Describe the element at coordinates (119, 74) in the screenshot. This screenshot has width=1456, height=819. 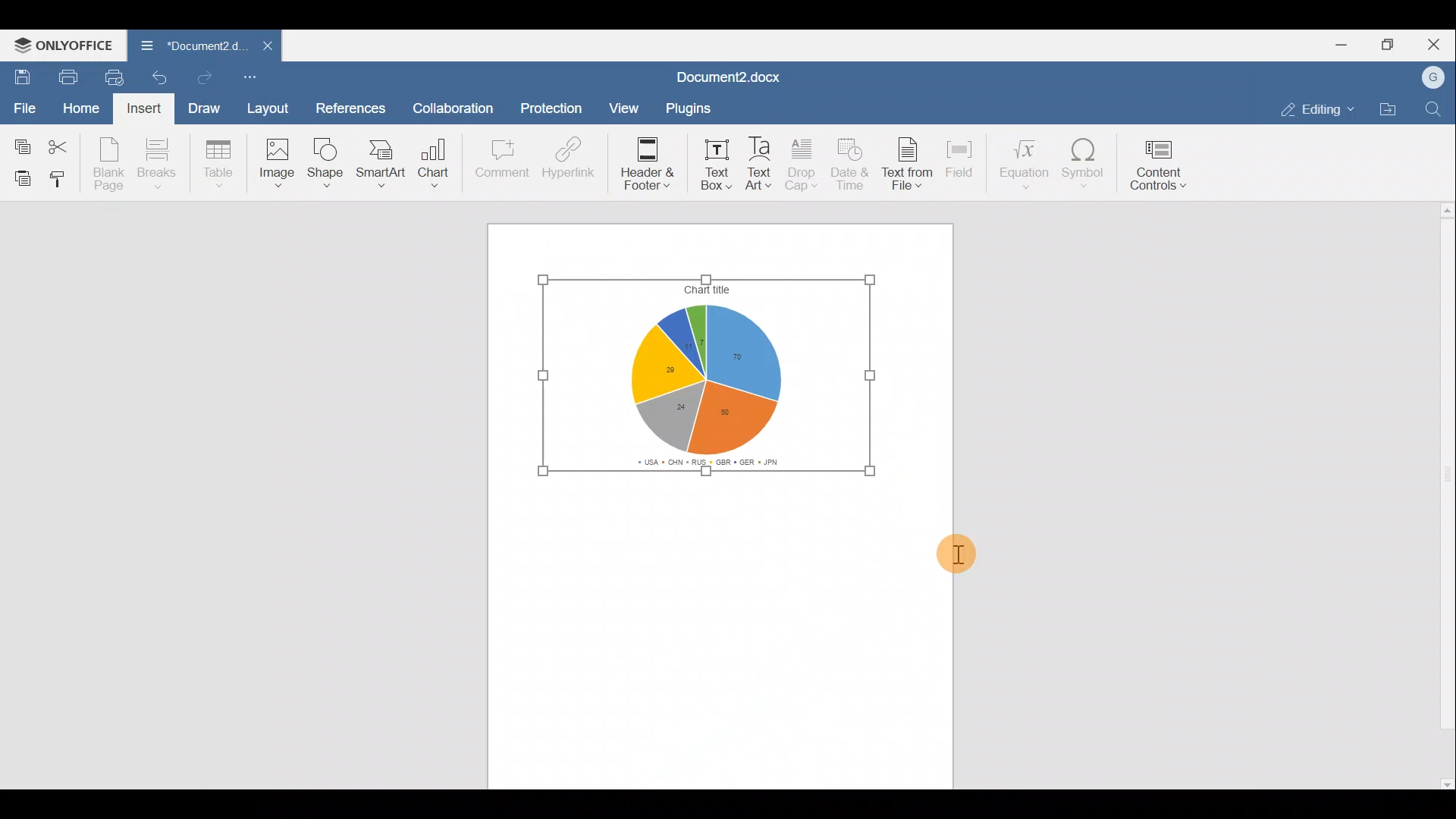
I see `Quick print` at that location.